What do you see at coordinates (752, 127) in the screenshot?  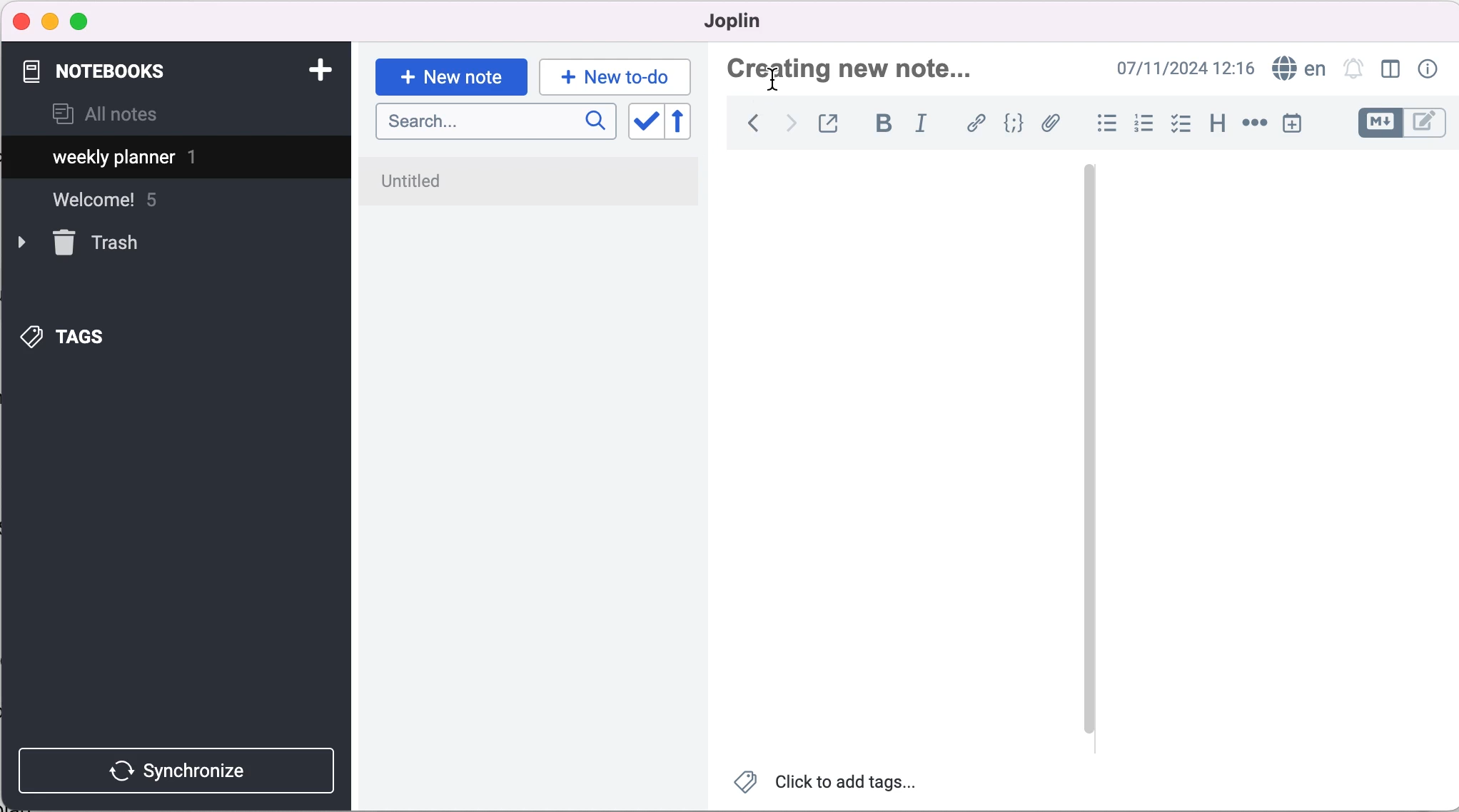 I see `back` at bounding box center [752, 127].